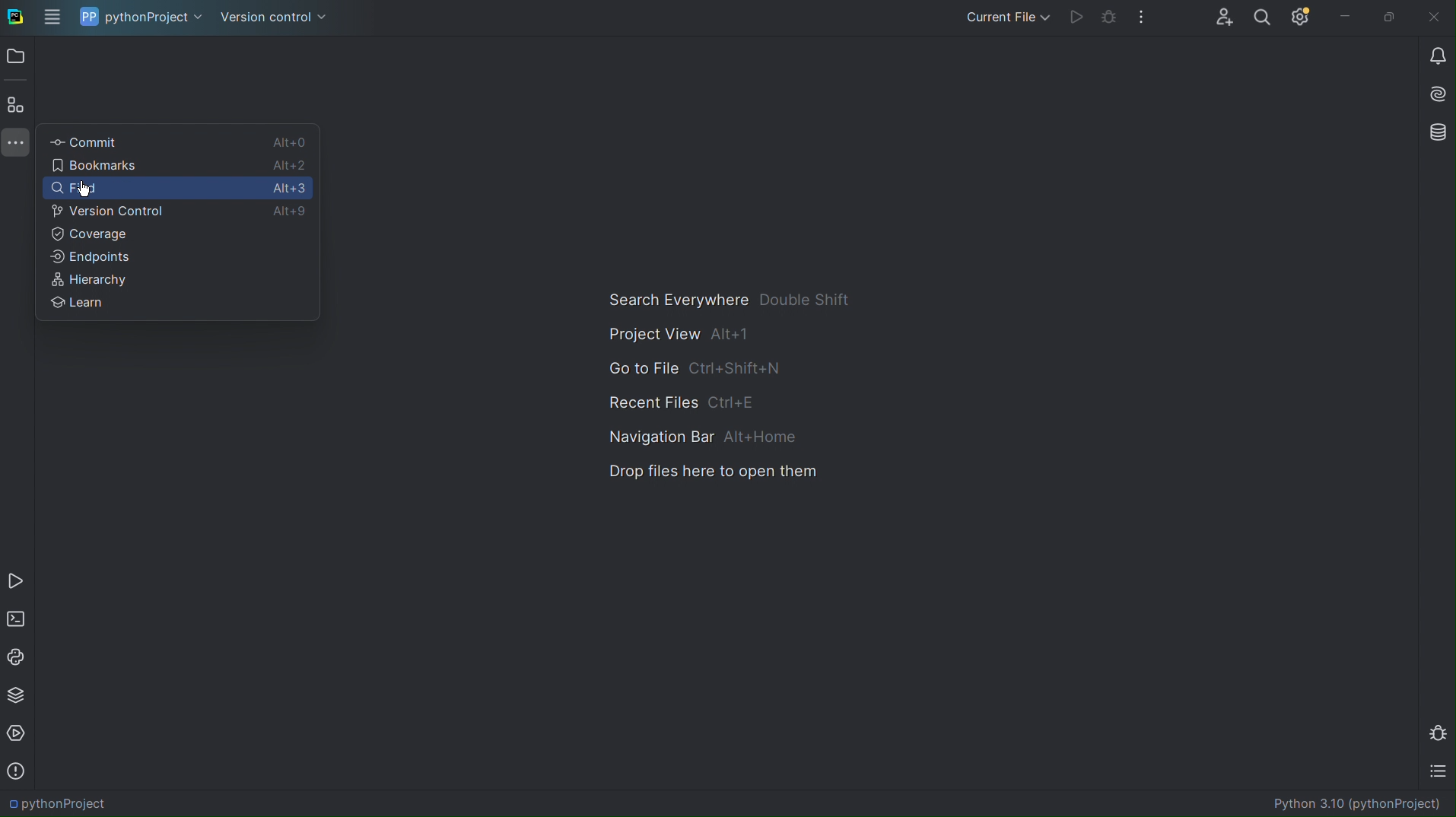 The width and height of the screenshot is (1456, 817). I want to click on More, so click(1144, 19).